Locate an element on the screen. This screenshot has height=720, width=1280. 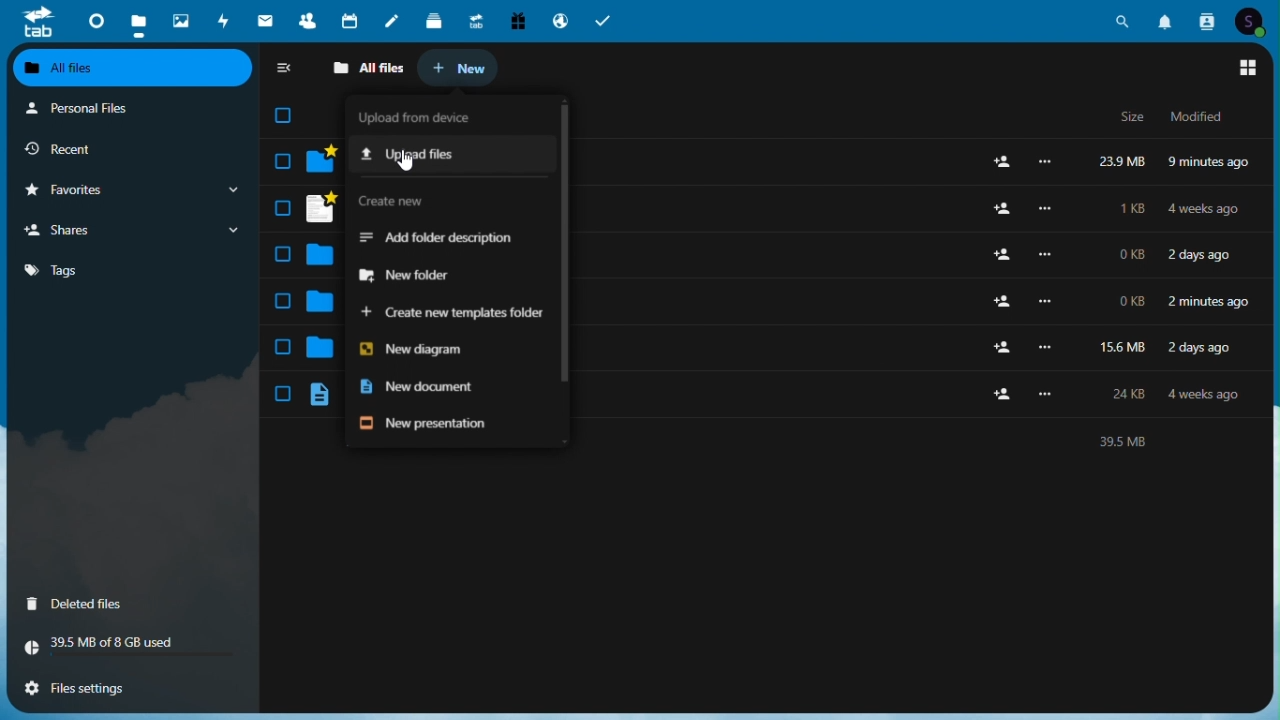
Checkbox is located at coordinates (276, 114).